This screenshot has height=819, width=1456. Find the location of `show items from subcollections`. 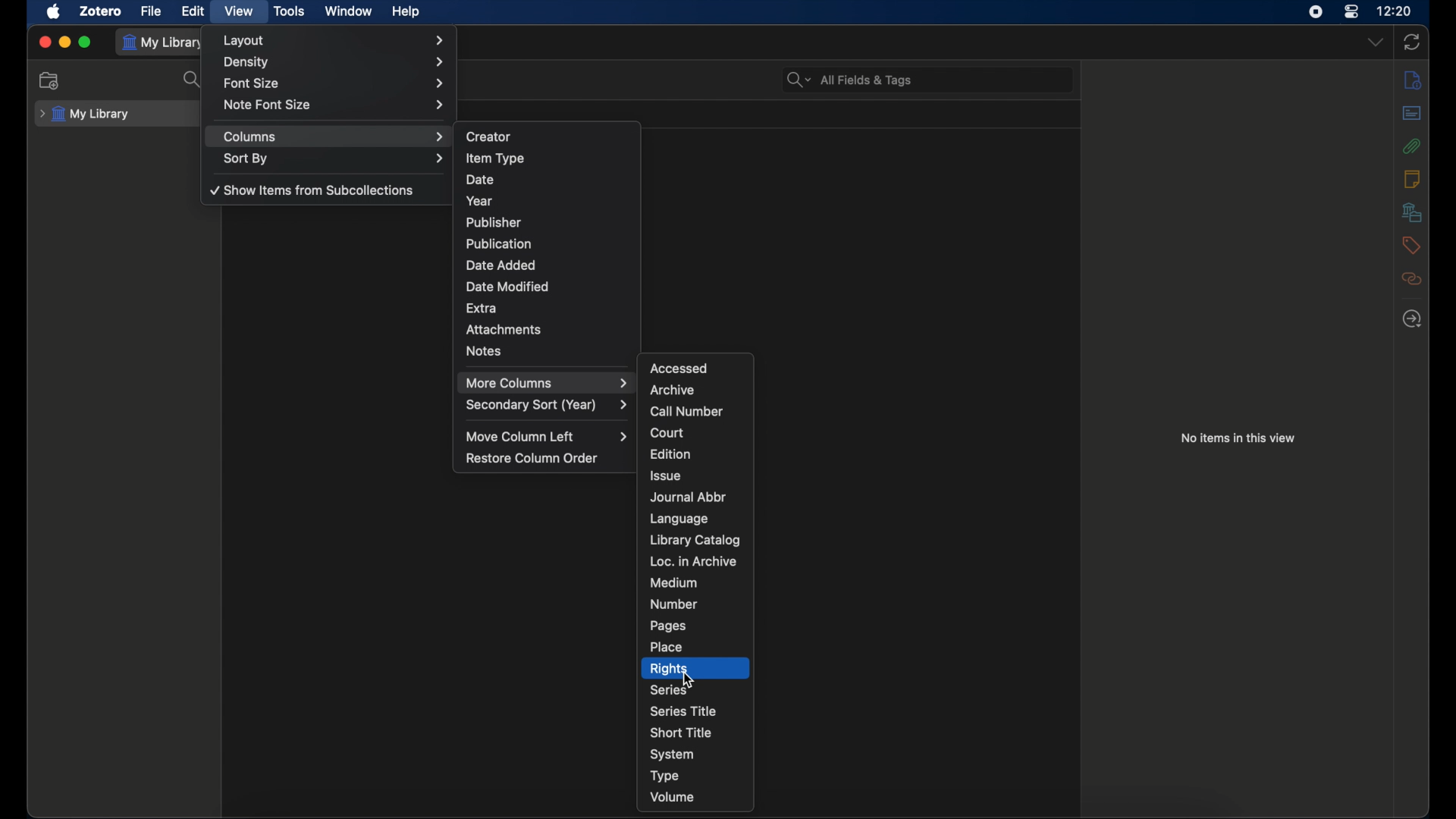

show items from subcollections is located at coordinates (311, 190).